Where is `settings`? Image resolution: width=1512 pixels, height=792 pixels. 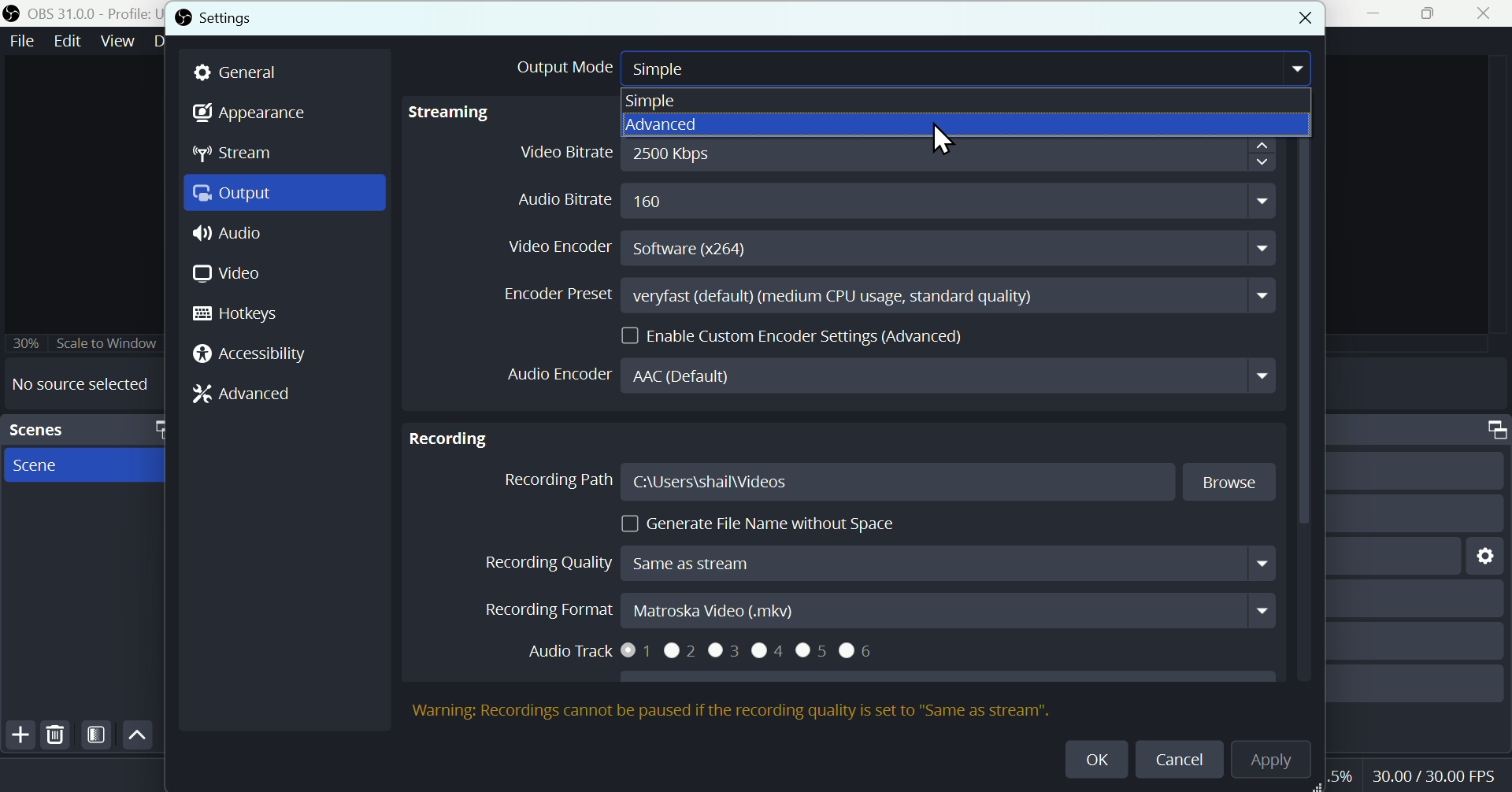 settings is located at coordinates (213, 20).